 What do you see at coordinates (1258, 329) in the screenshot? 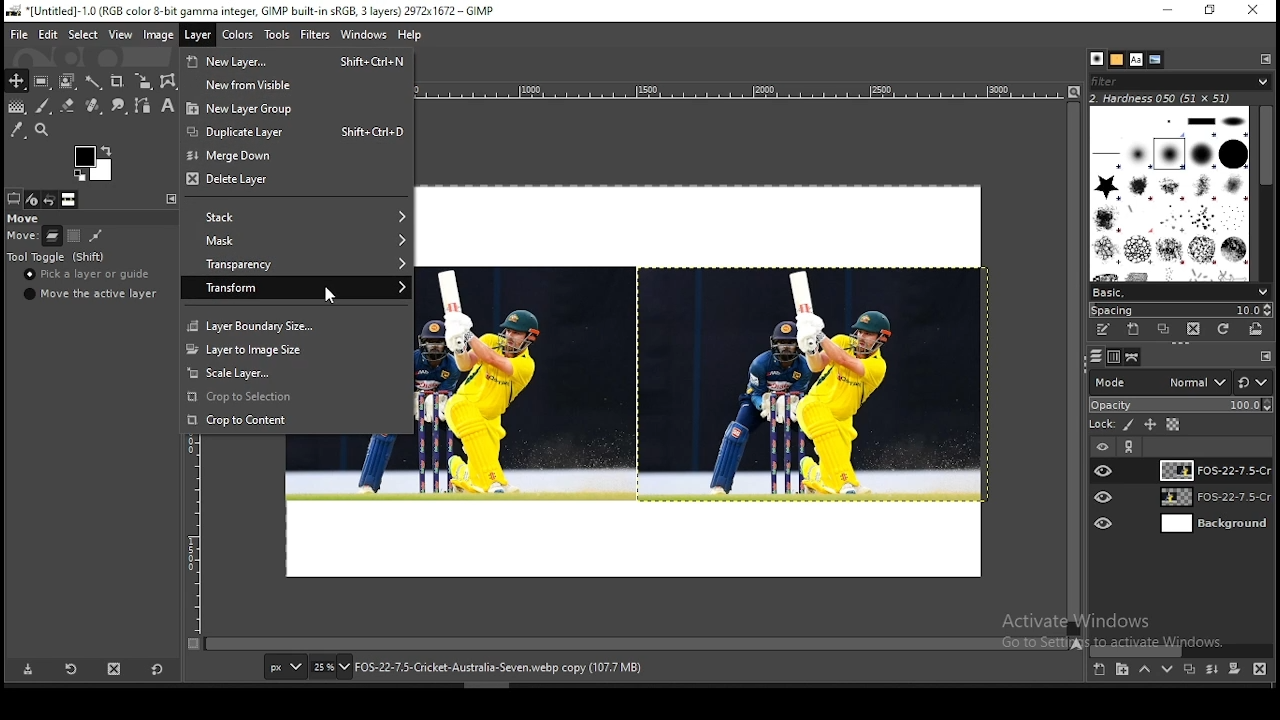
I see `open brush as image` at bounding box center [1258, 329].